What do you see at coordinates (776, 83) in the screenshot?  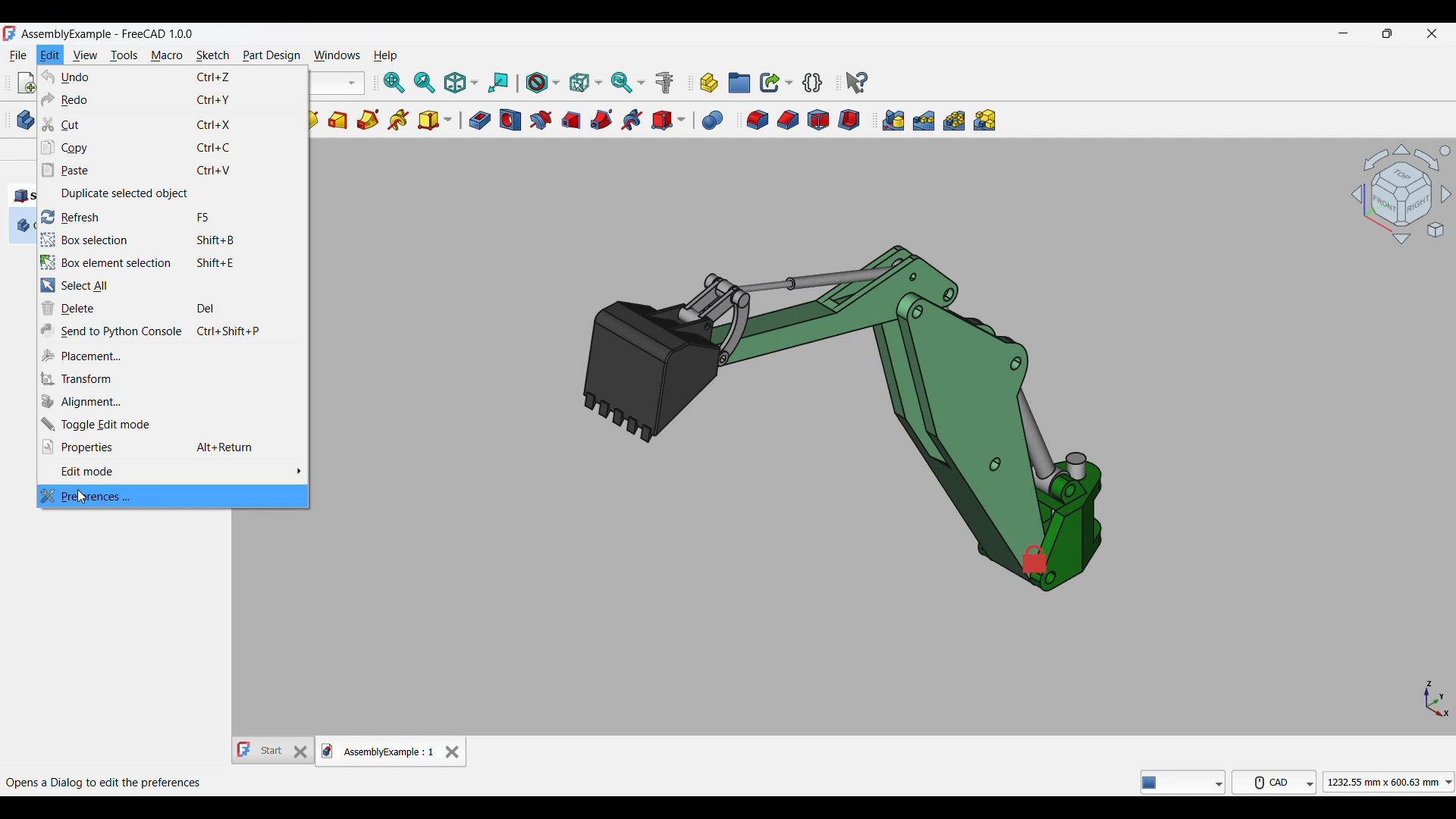 I see `Make link options` at bounding box center [776, 83].